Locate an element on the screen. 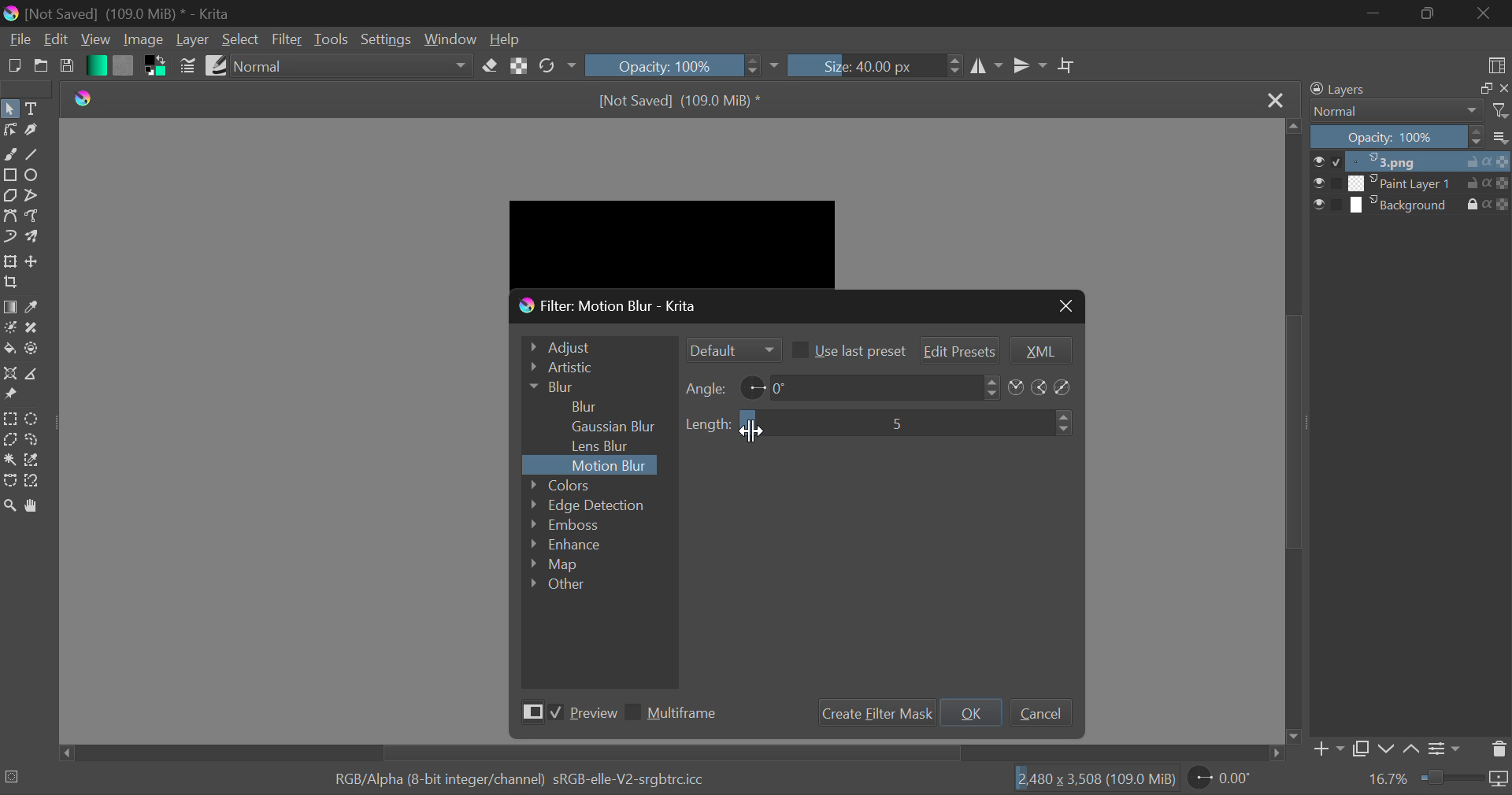 The image size is (1512, 795). Move Layer Down is located at coordinates (1386, 749).